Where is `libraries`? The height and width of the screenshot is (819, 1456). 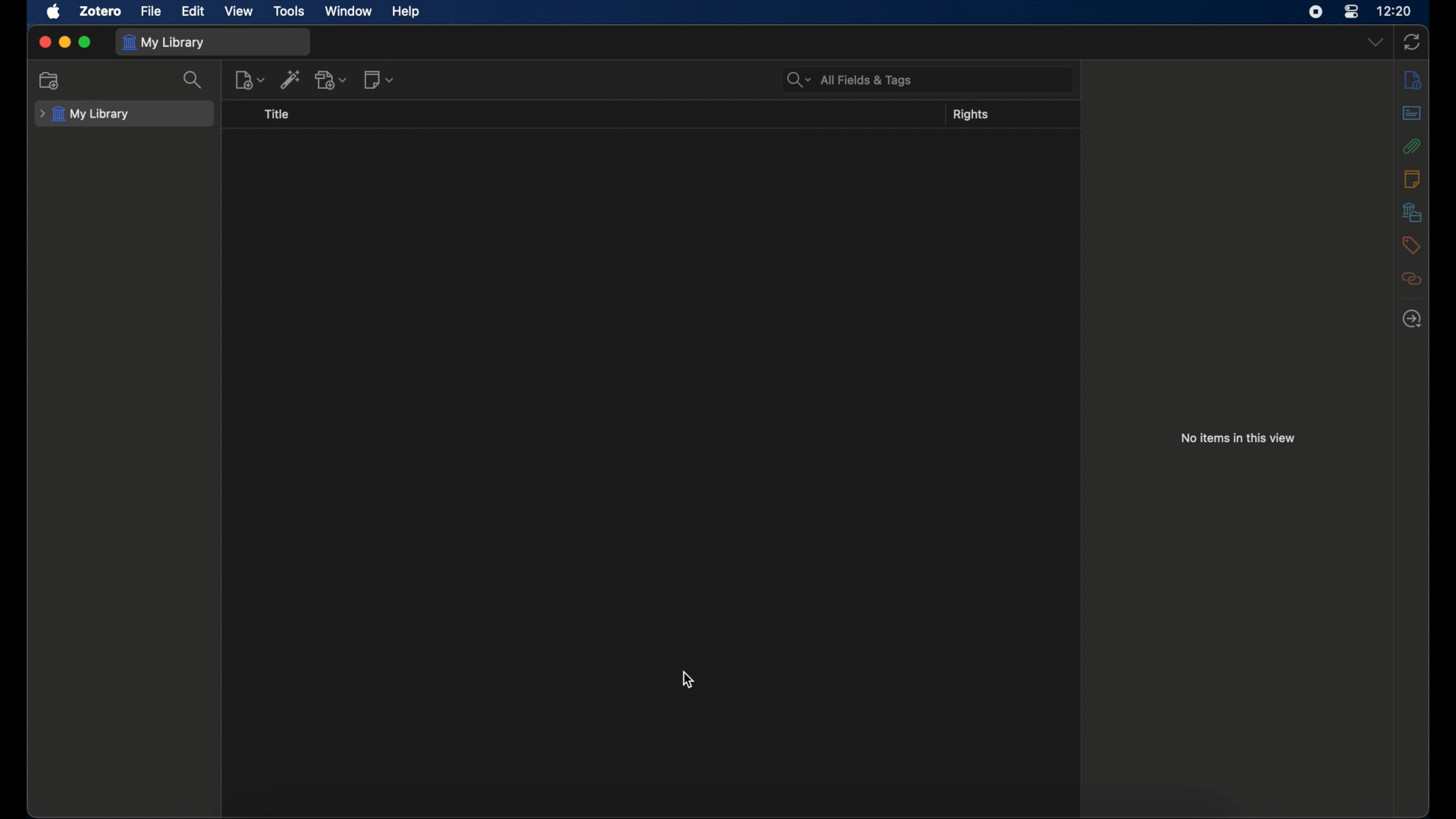
libraries is located at coordinates (1412, 212).